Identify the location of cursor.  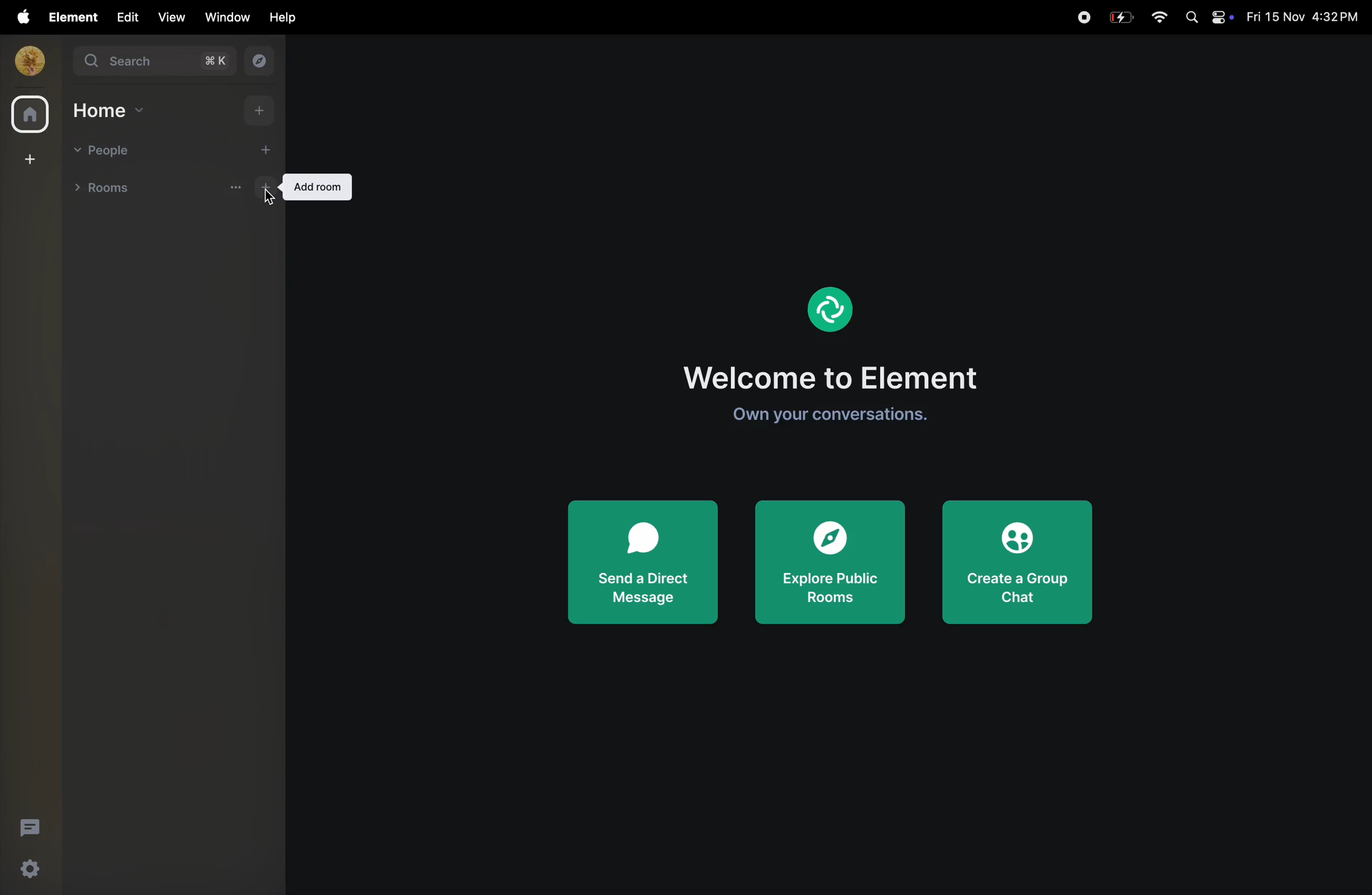
(266, 202).